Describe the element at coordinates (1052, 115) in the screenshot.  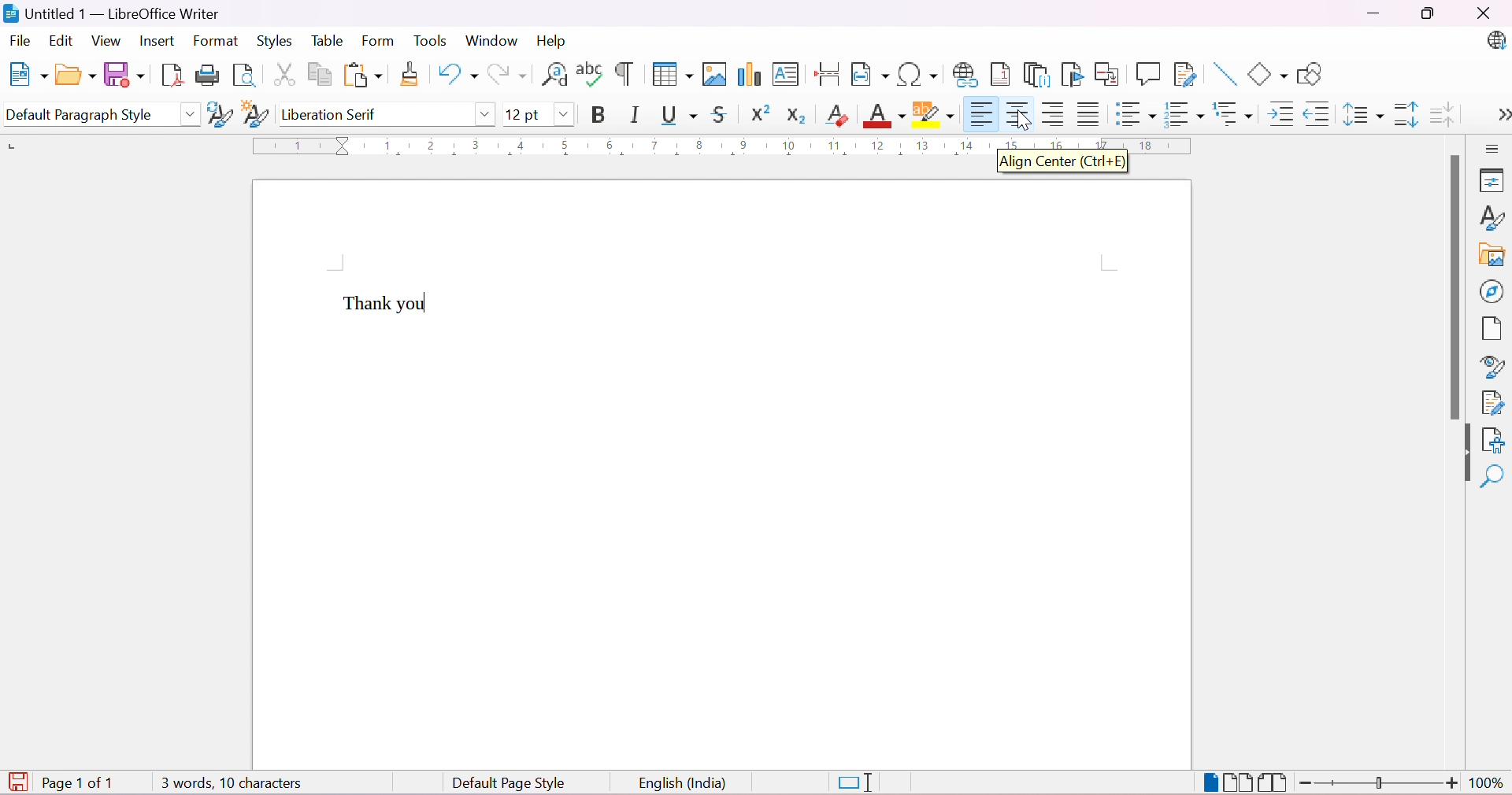
I see `Align Right` at that location.